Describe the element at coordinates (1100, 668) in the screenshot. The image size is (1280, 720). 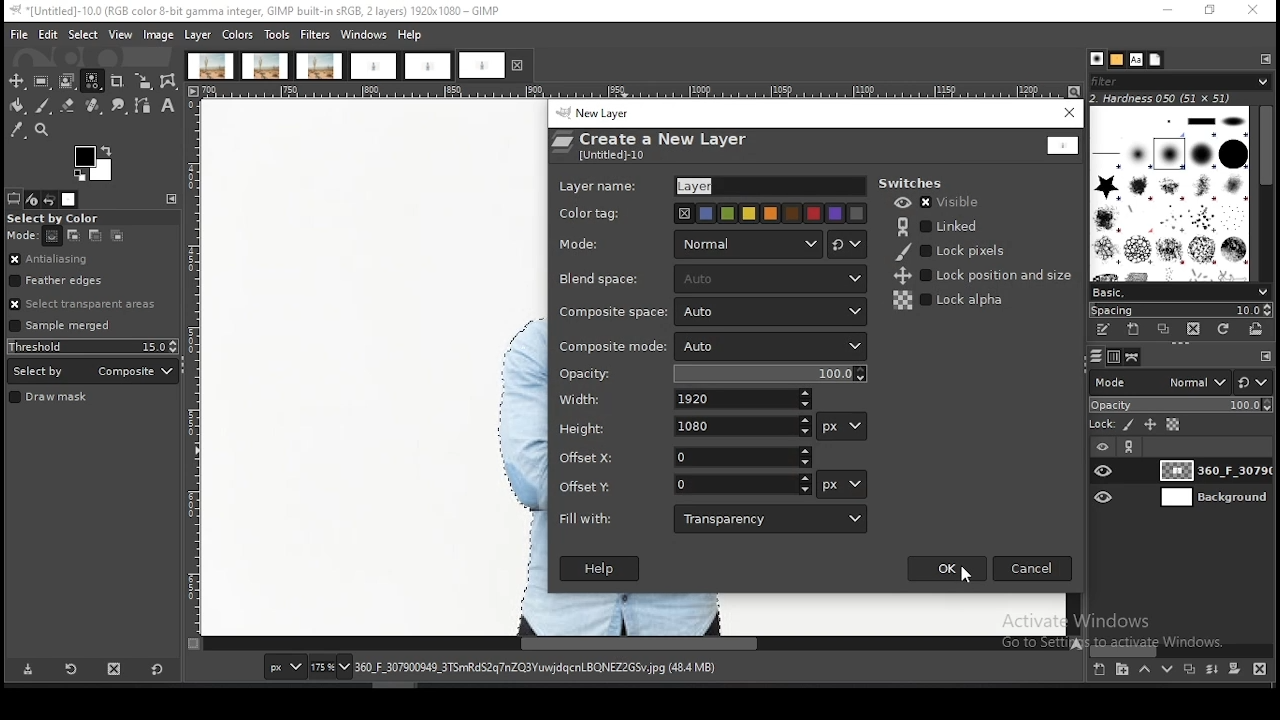
I see `create a new layer` at that location.